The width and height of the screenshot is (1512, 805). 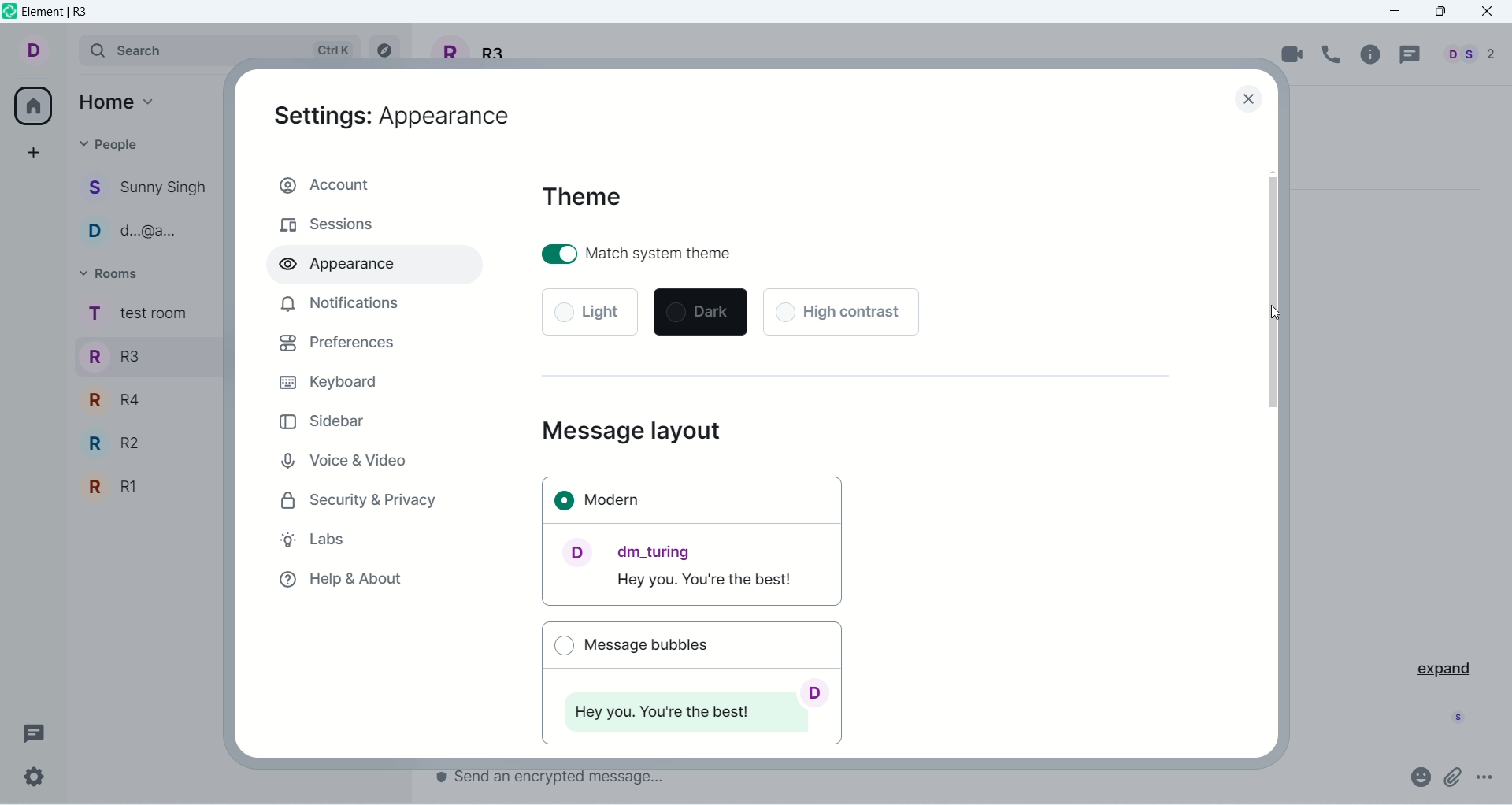 What do you see at coordinates (1251, 101) in the screenshot?
I see `Close` at bounding box center [1251, 101].